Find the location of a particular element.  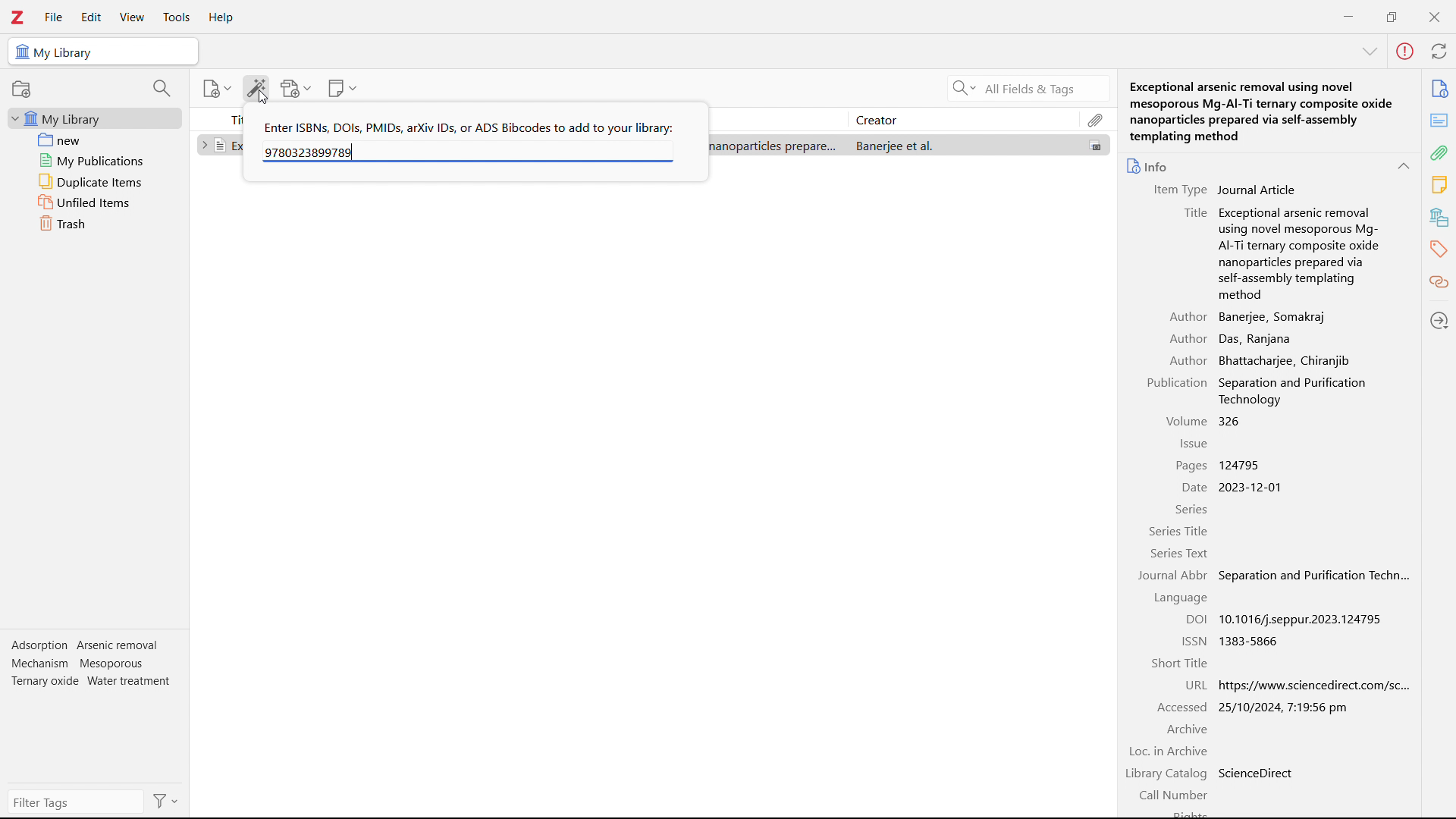

Item type is located at coordinates (1175, 190).